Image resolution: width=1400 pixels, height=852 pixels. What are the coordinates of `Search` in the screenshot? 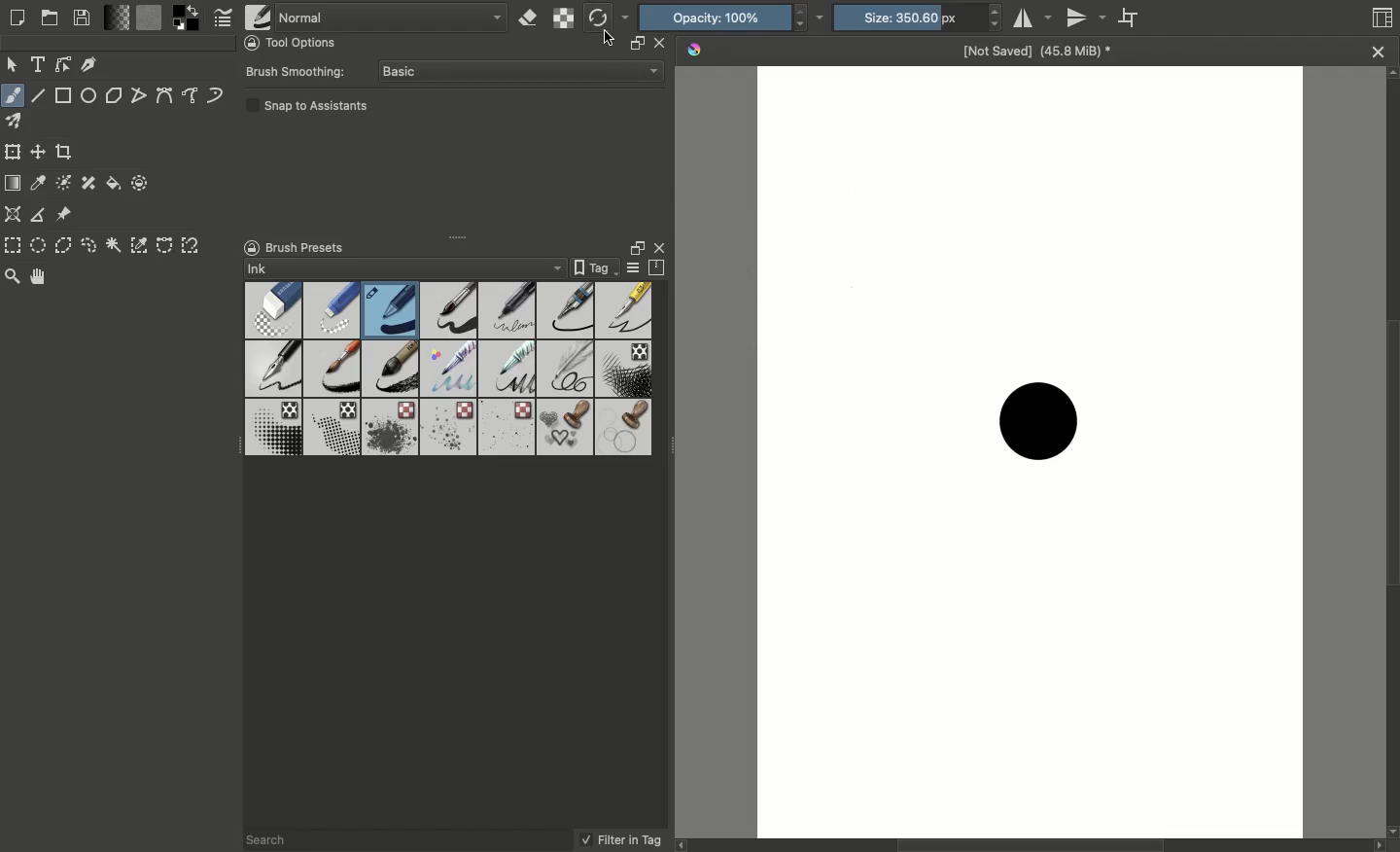 It's located at (276, 838).